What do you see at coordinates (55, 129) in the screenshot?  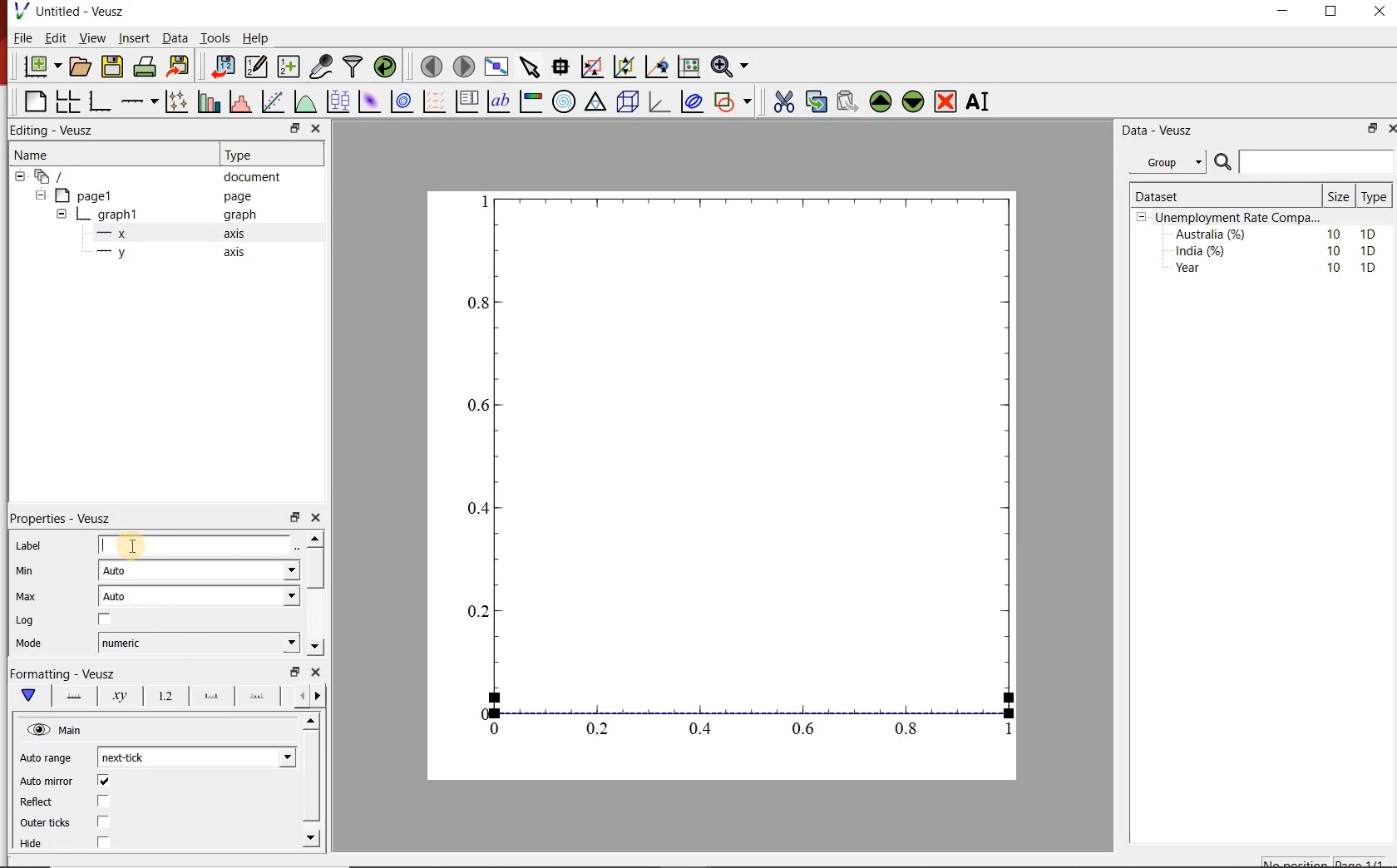 I see `Editing - Veusz` at bounding box center [55, 129].